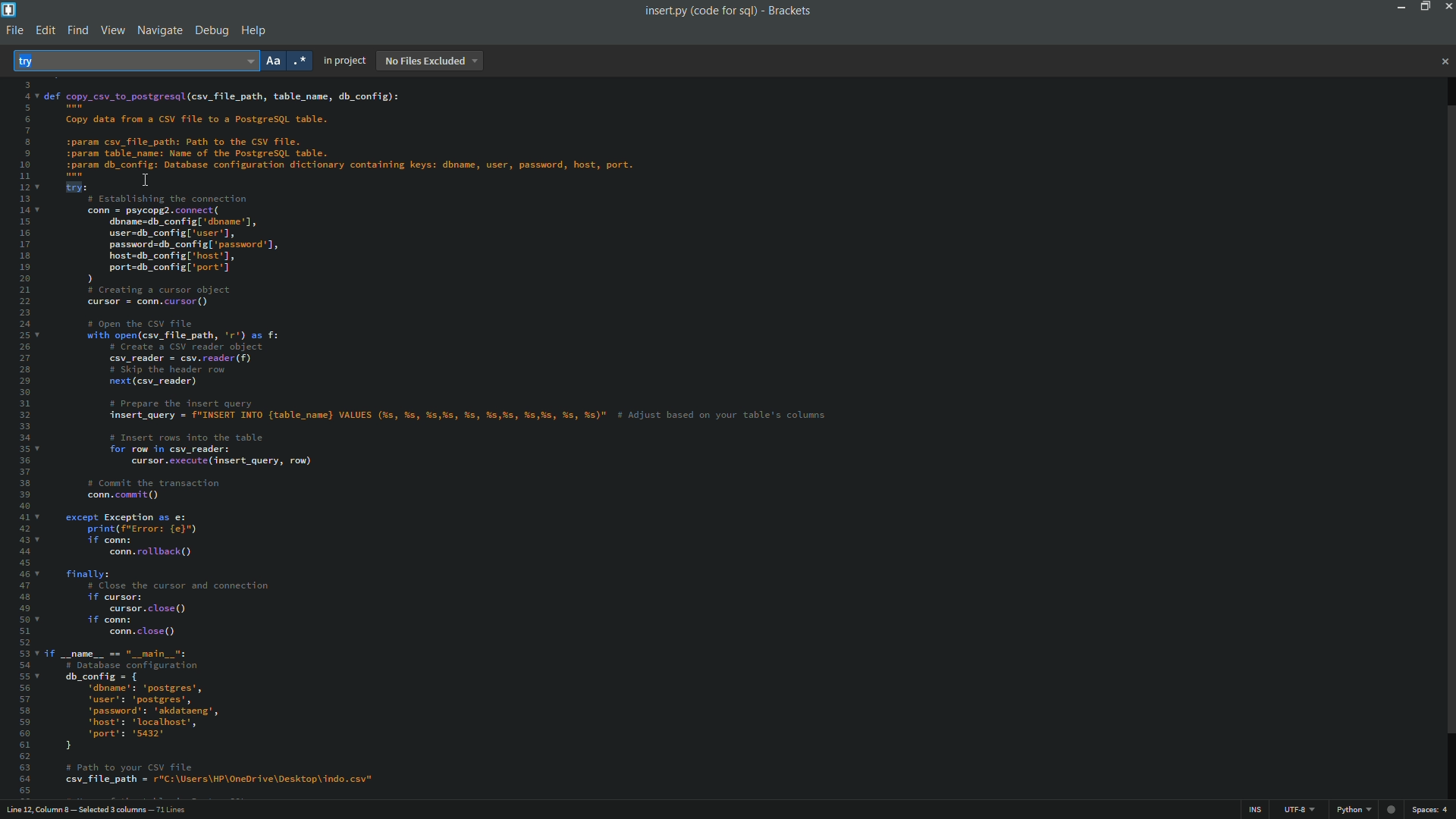 The width and height of the screenshot is (1456, 819). What do you see at coordinates (45, 30) in the screenshot?
I see `edit menu` at bounding box center [45, 30].